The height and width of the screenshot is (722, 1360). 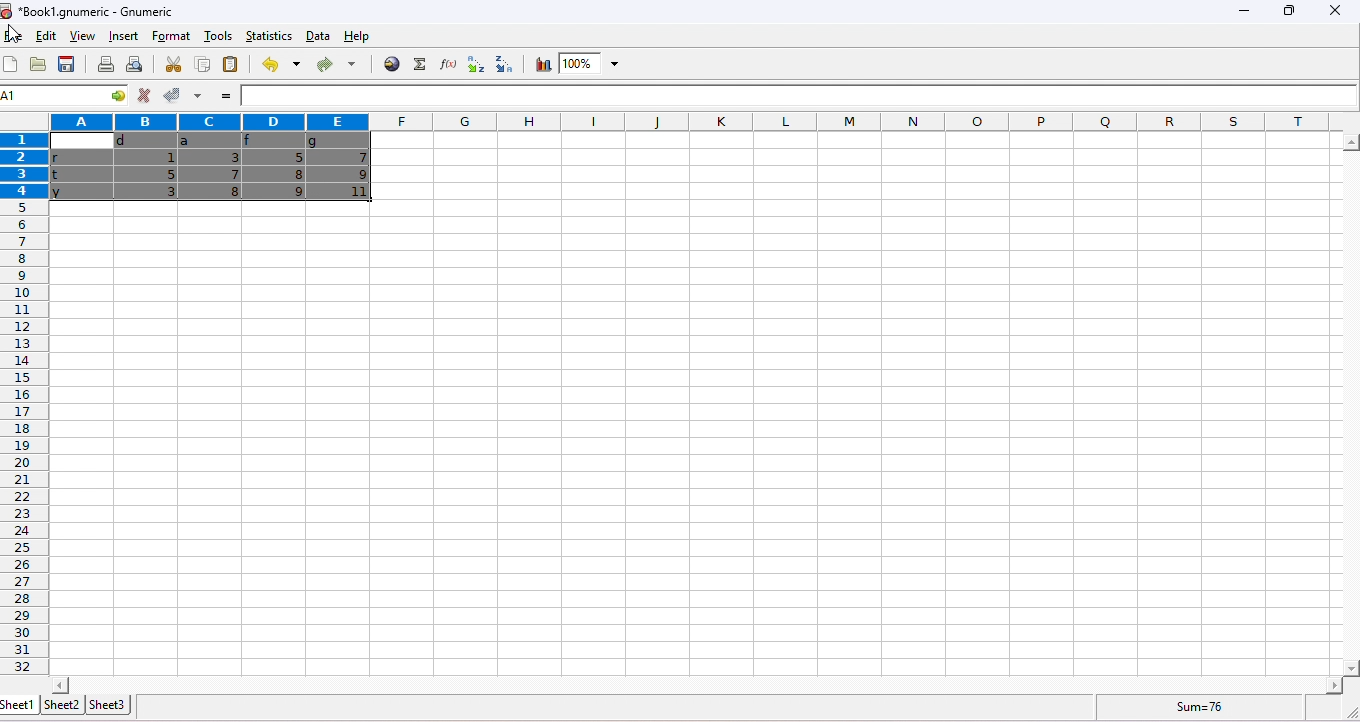 What do you see at coordinates (15, 32) in the screenshot?
I see `cursor movement` at bounding box center [15, 32].